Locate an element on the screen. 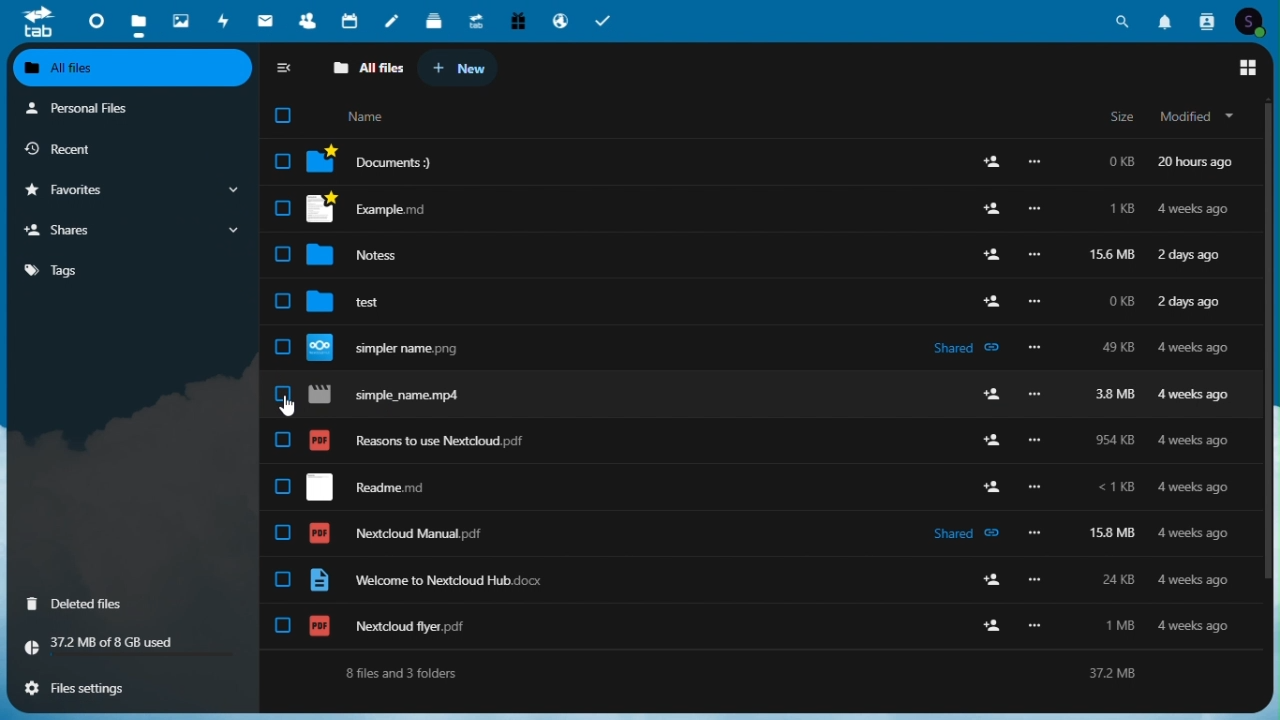 This screenshot has width=1280, height=720. Vertical scroll bar is located at coordinates (1272, 371).